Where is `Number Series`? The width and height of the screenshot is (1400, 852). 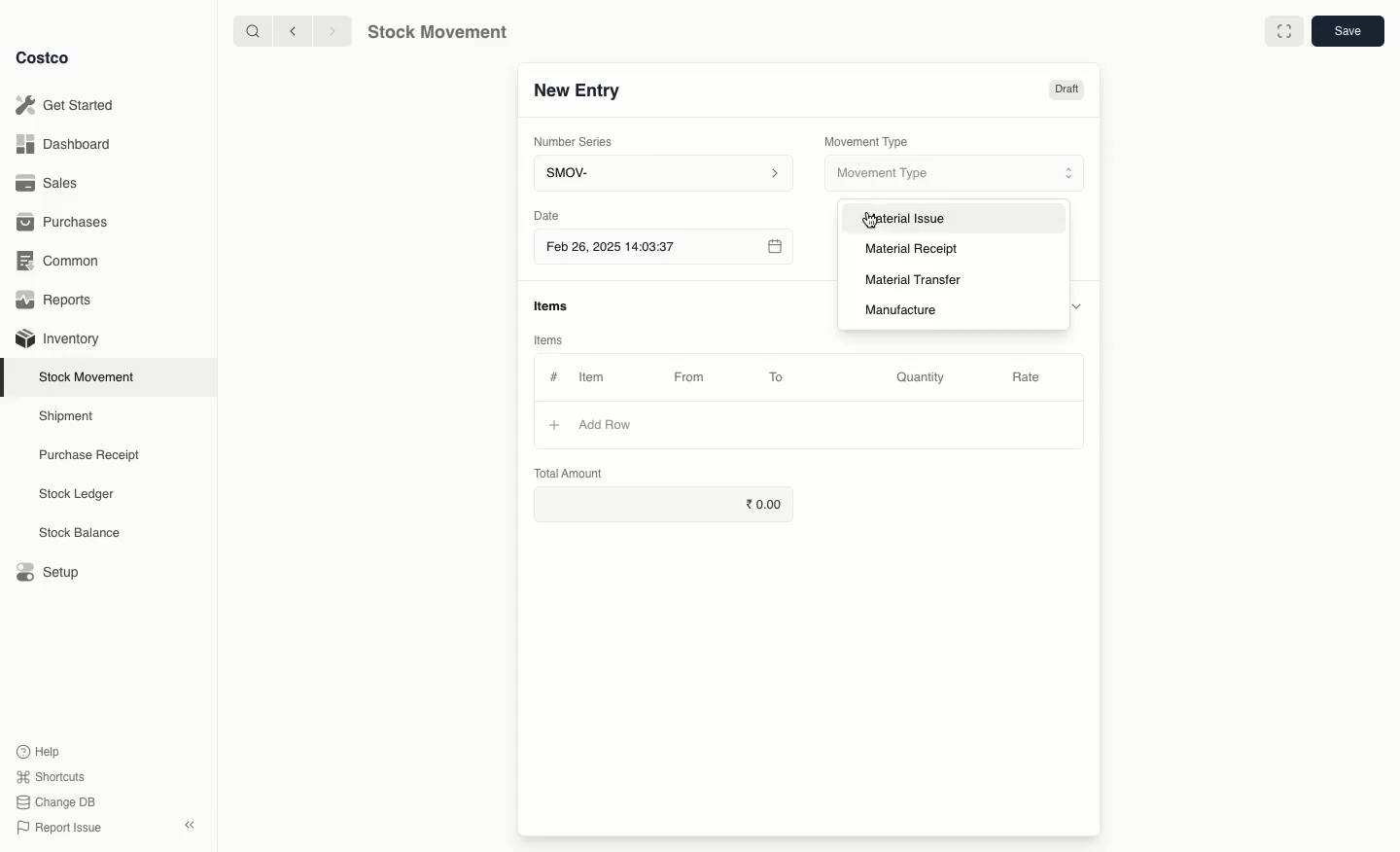
Number Series is located at coordinates (580, 145).